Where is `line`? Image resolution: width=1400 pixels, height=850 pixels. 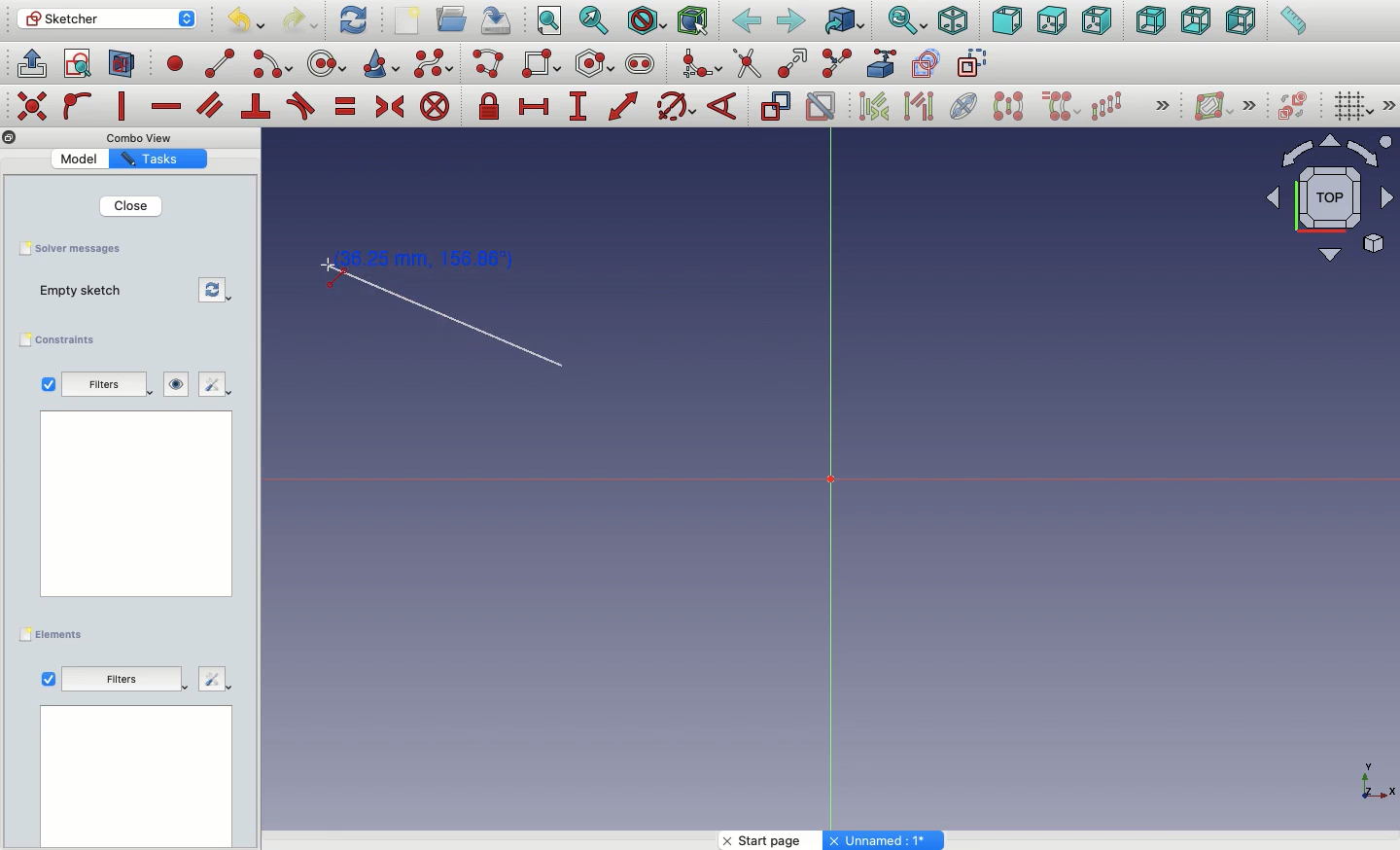 line is located at coordinates (221, 64).